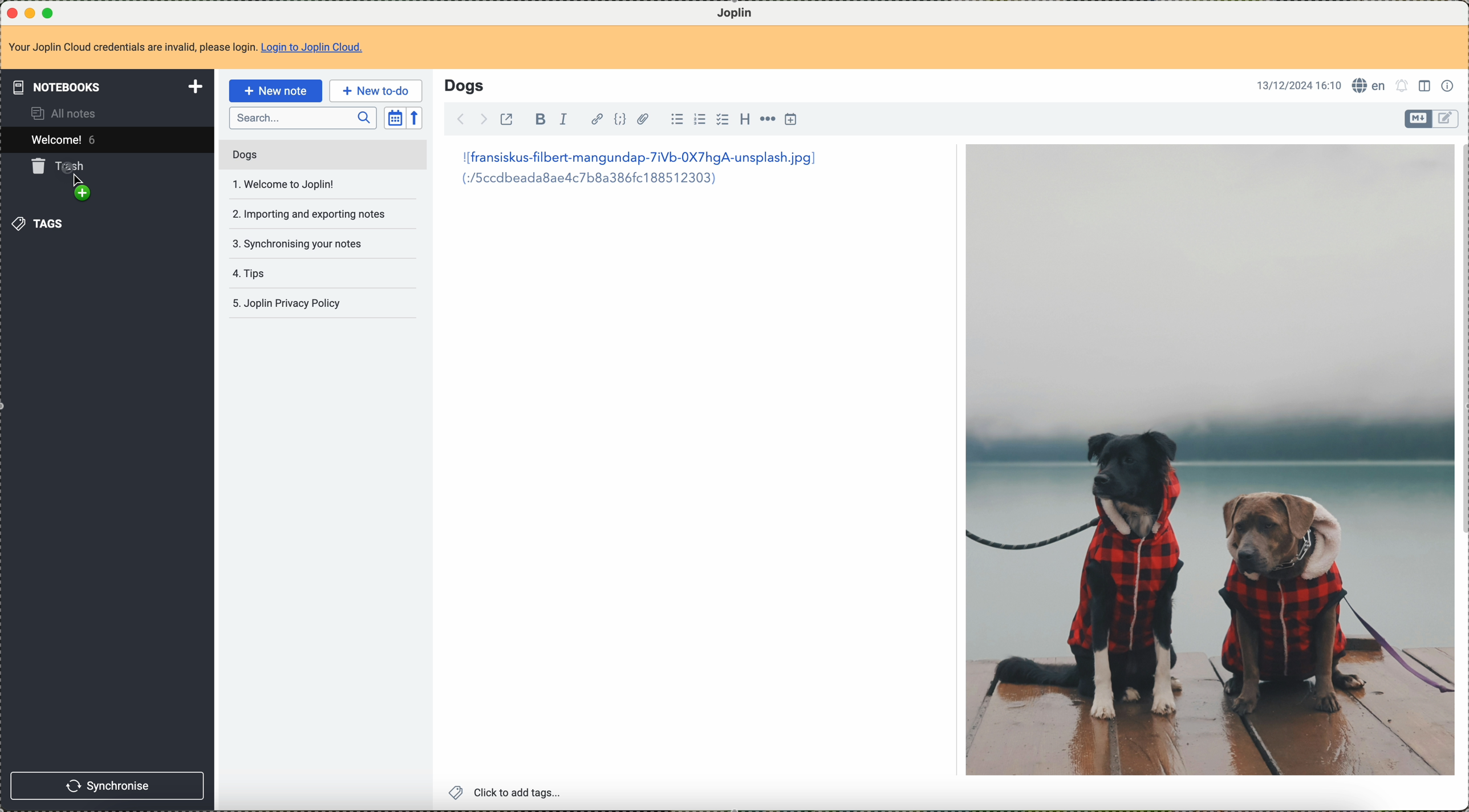  What do you see at coordinates (646, 120) in the screenshot?
I see `attach file` at bounding box center [646, 120].